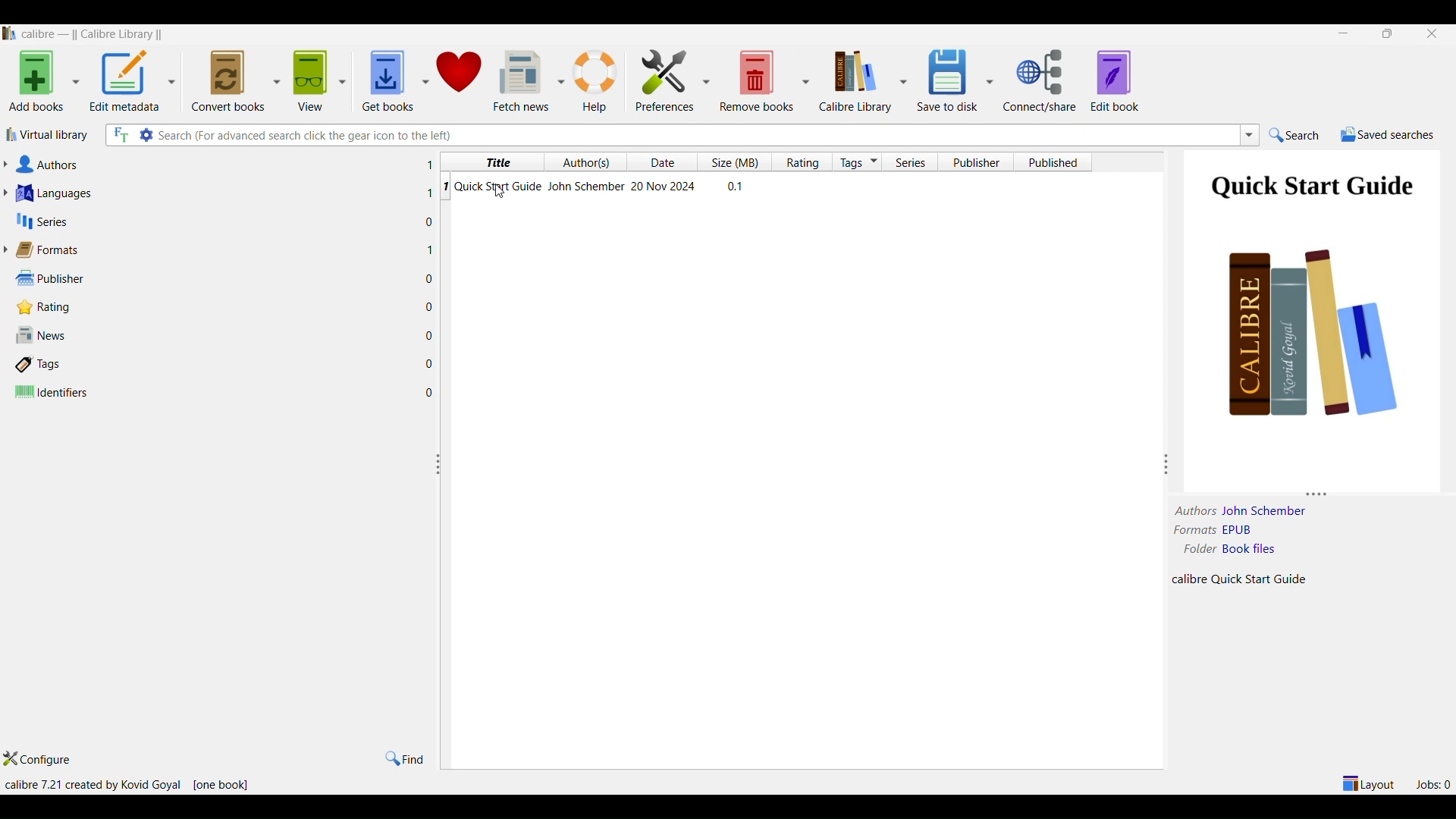  What do you see at coordinates (520, 79) in the screenshot?
I see `fetch news` at bounding box center [520, 79].